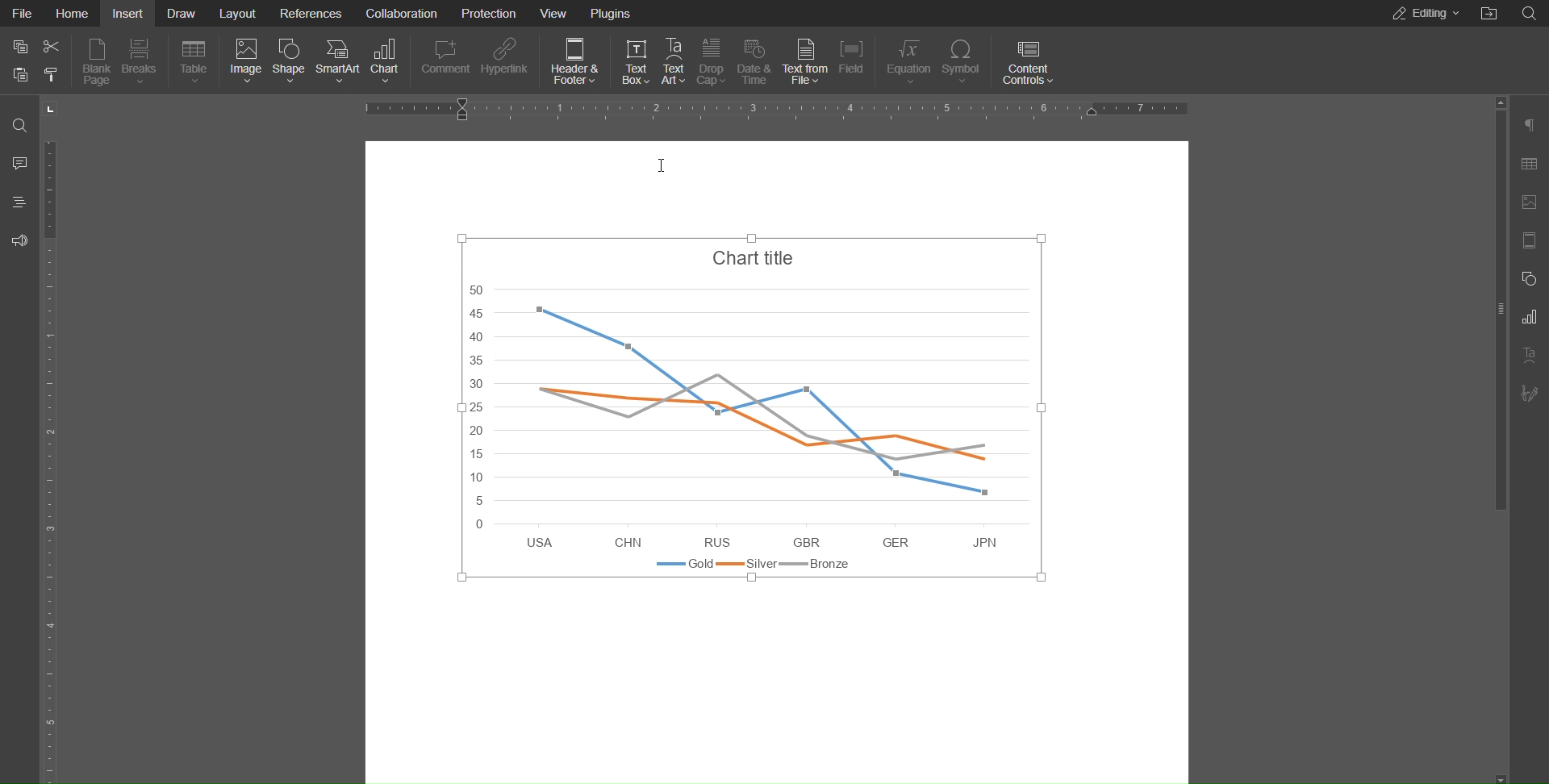  Describe the element at coordinates (778, 107) in the screenshot. I see `Horizontal Ruler` at that location.